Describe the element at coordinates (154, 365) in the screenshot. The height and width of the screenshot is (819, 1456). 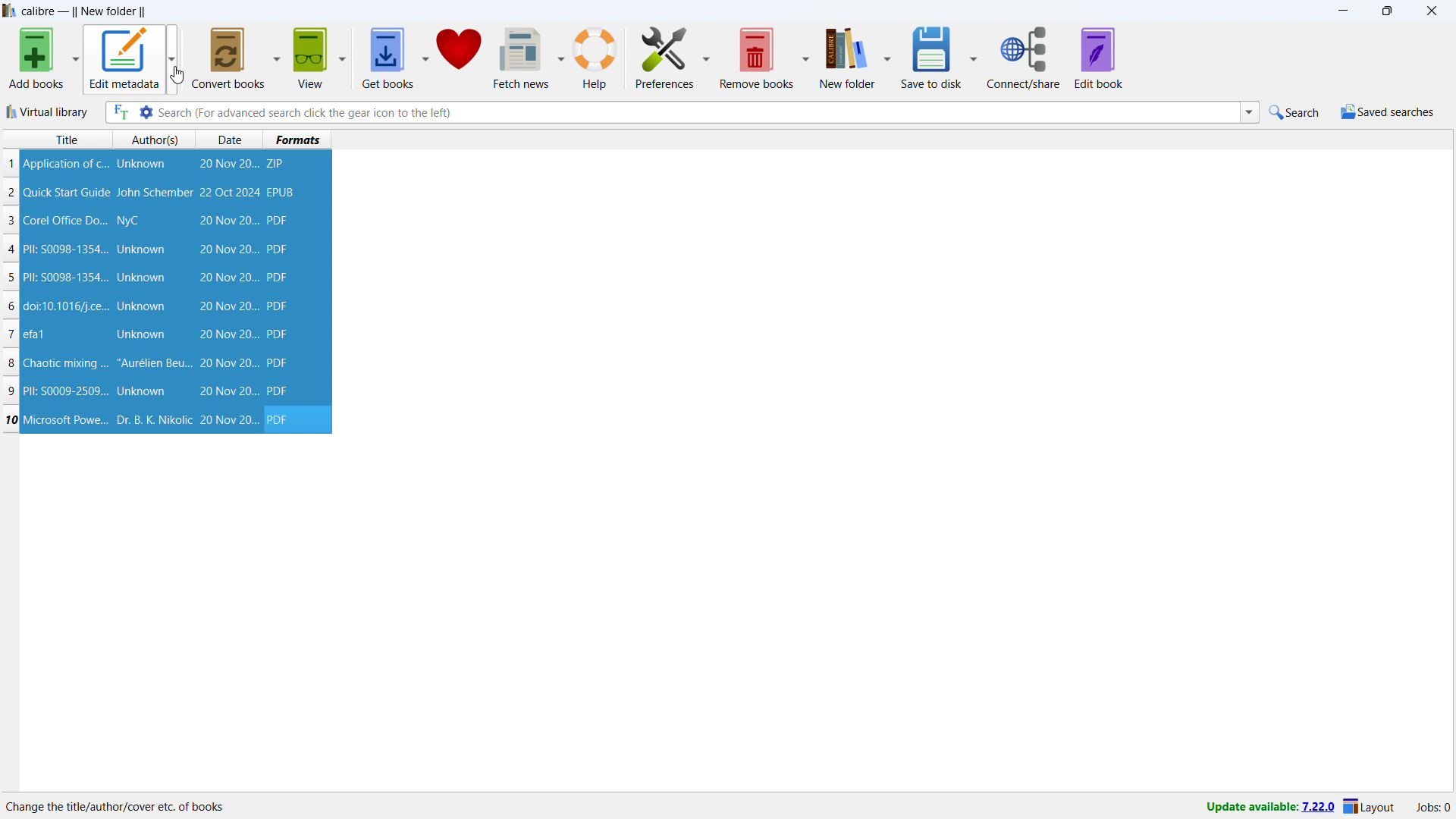
I see `"Aurelien Beu...` at that location.